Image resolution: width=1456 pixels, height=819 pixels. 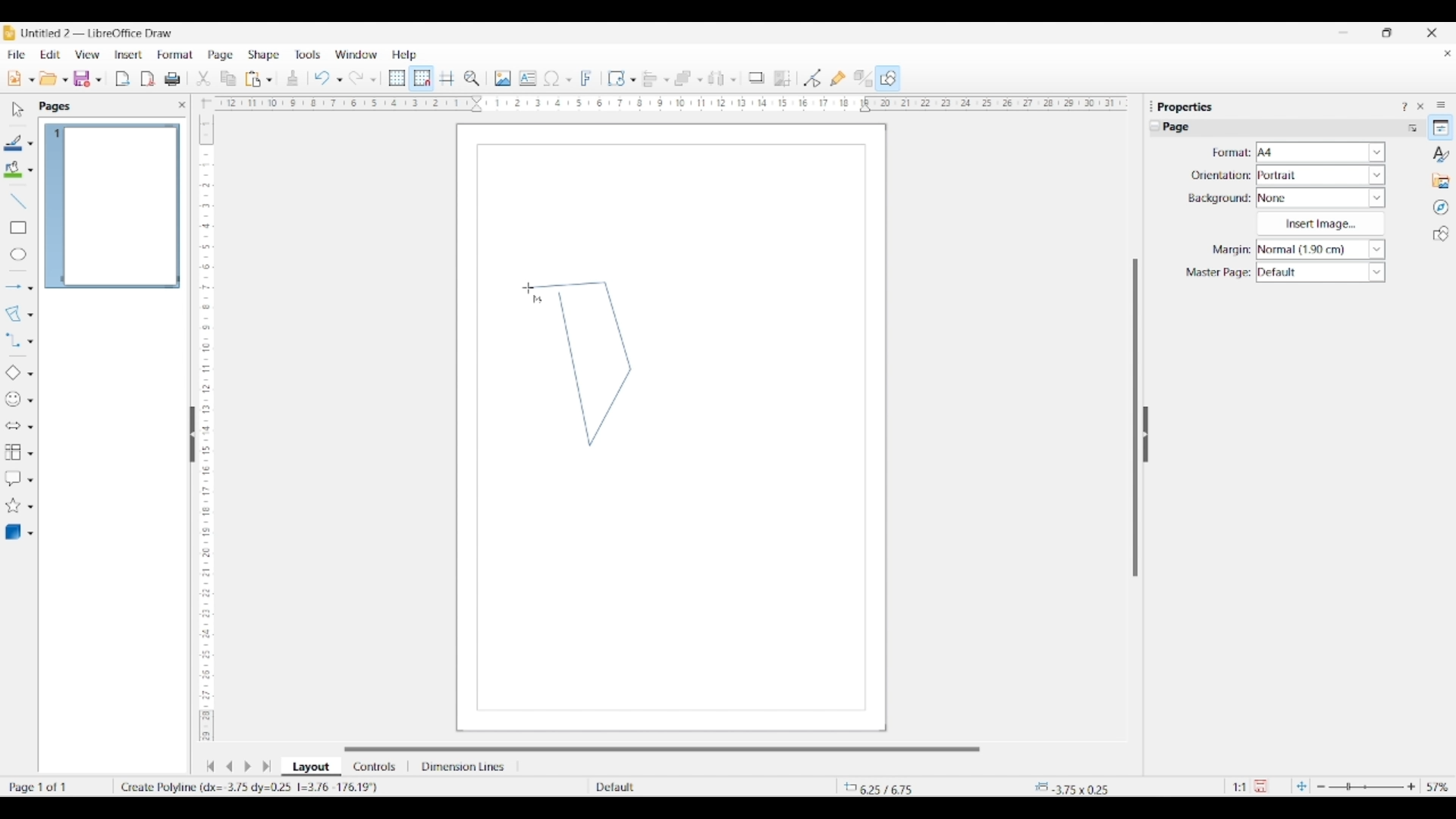 I want to click on Cursor clicking on canvas for point 5, so click(x=527, y=288).